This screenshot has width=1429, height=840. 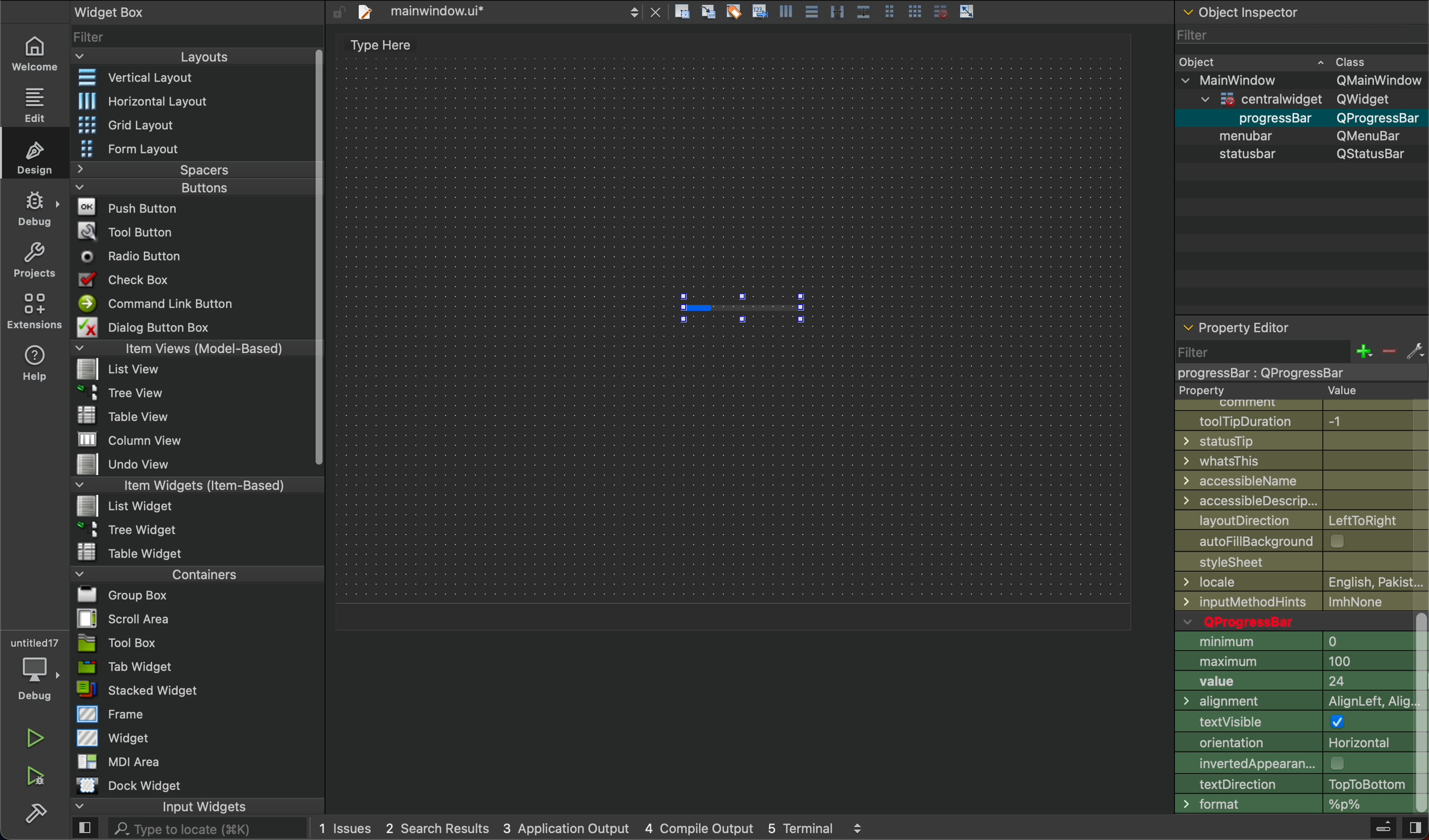 What do you see at coordinates (338, 12) in the screenshot?
I see `unlock` at bounding box center [338, 12].